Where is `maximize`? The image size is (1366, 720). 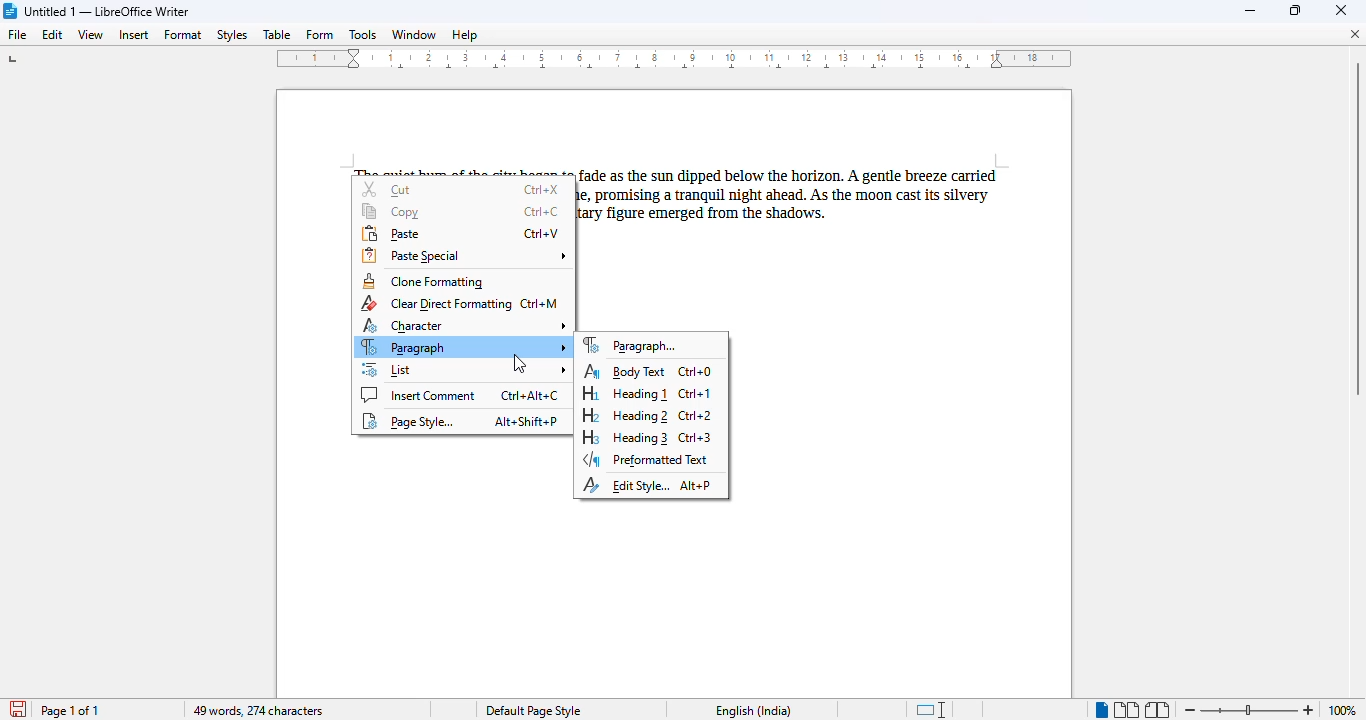 maximize is located at coordinates (1297, 10).